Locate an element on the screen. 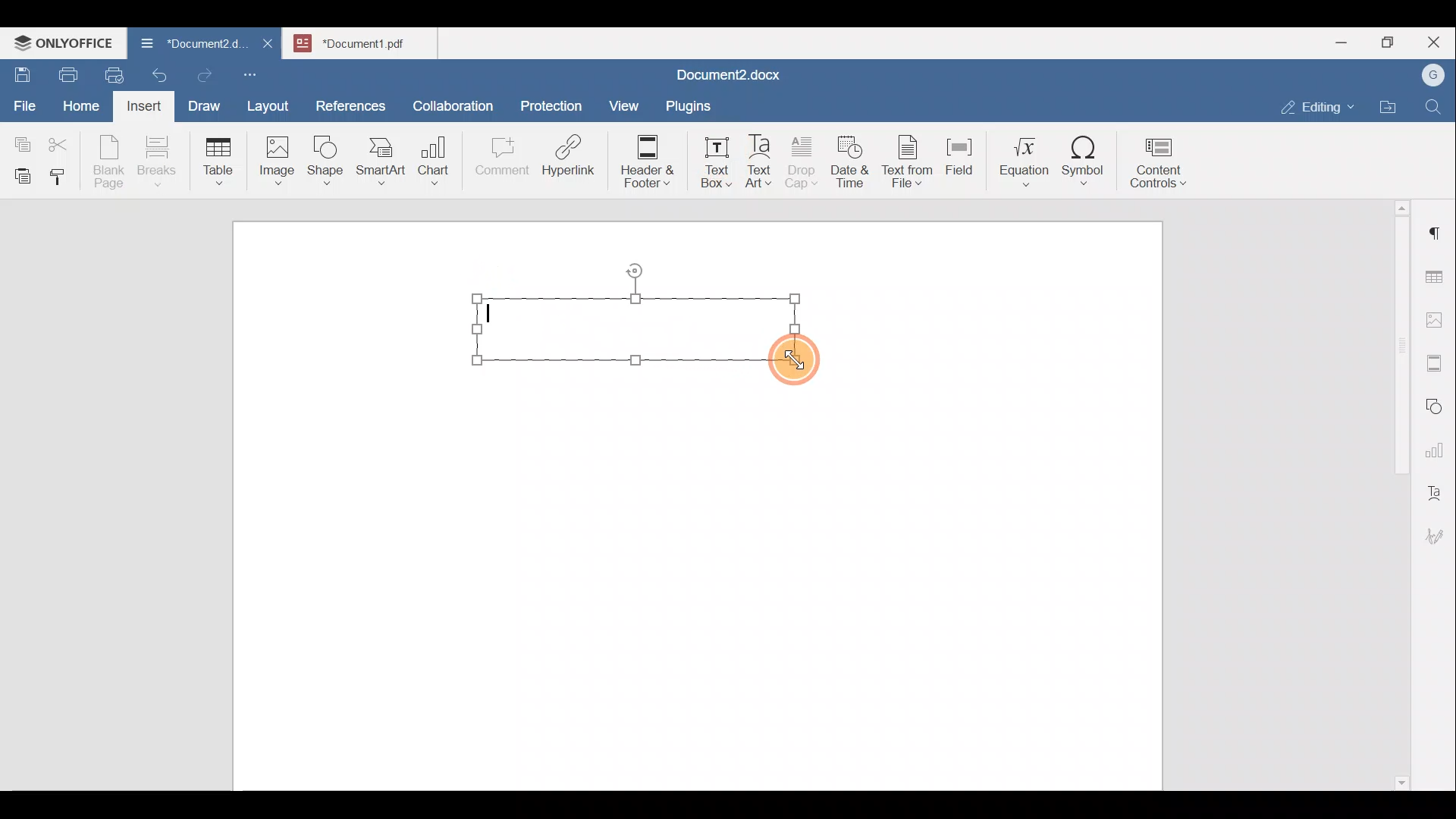  Image settings is located at coordinates (1437, 318).